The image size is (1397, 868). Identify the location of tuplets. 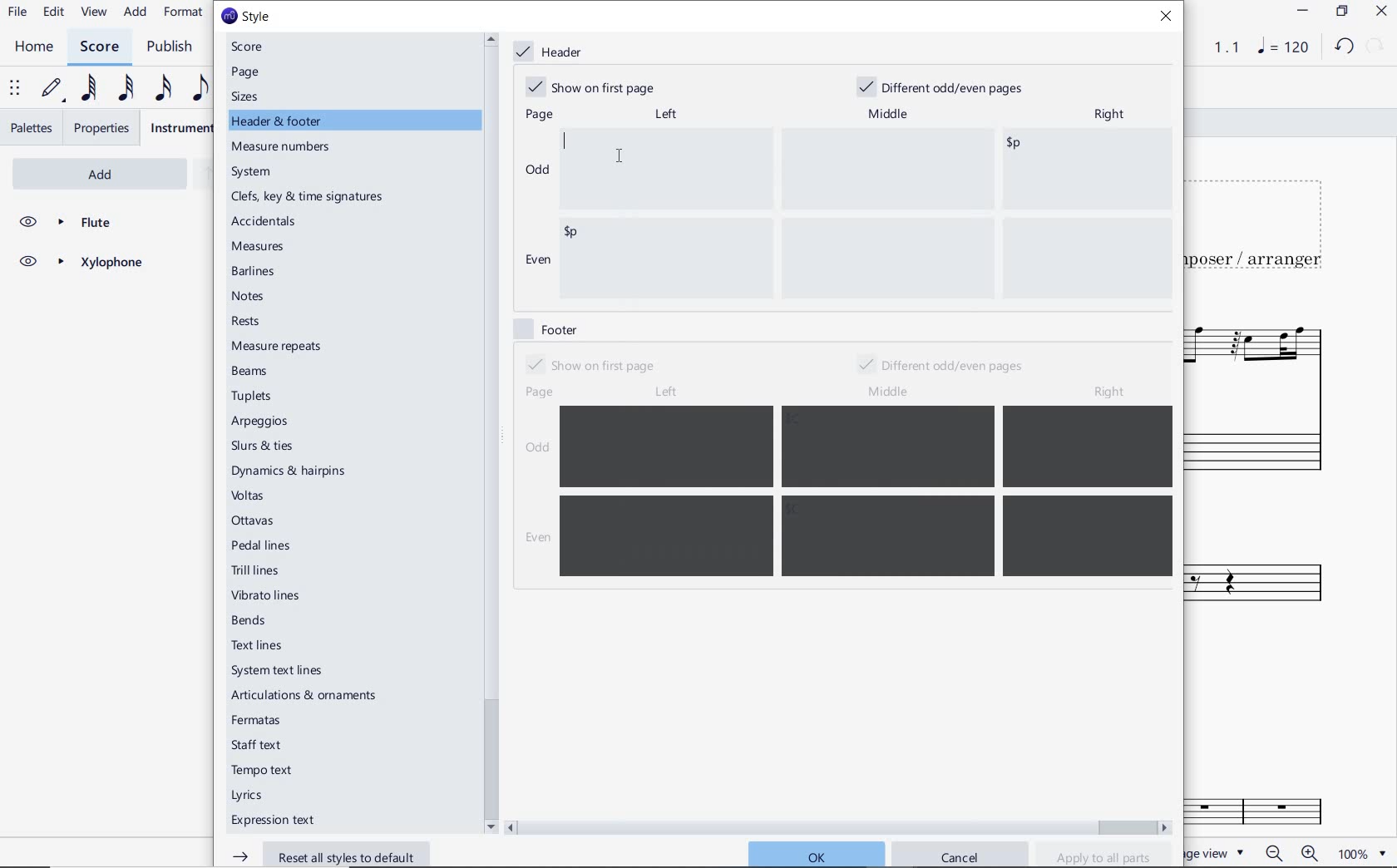
(254, 397).